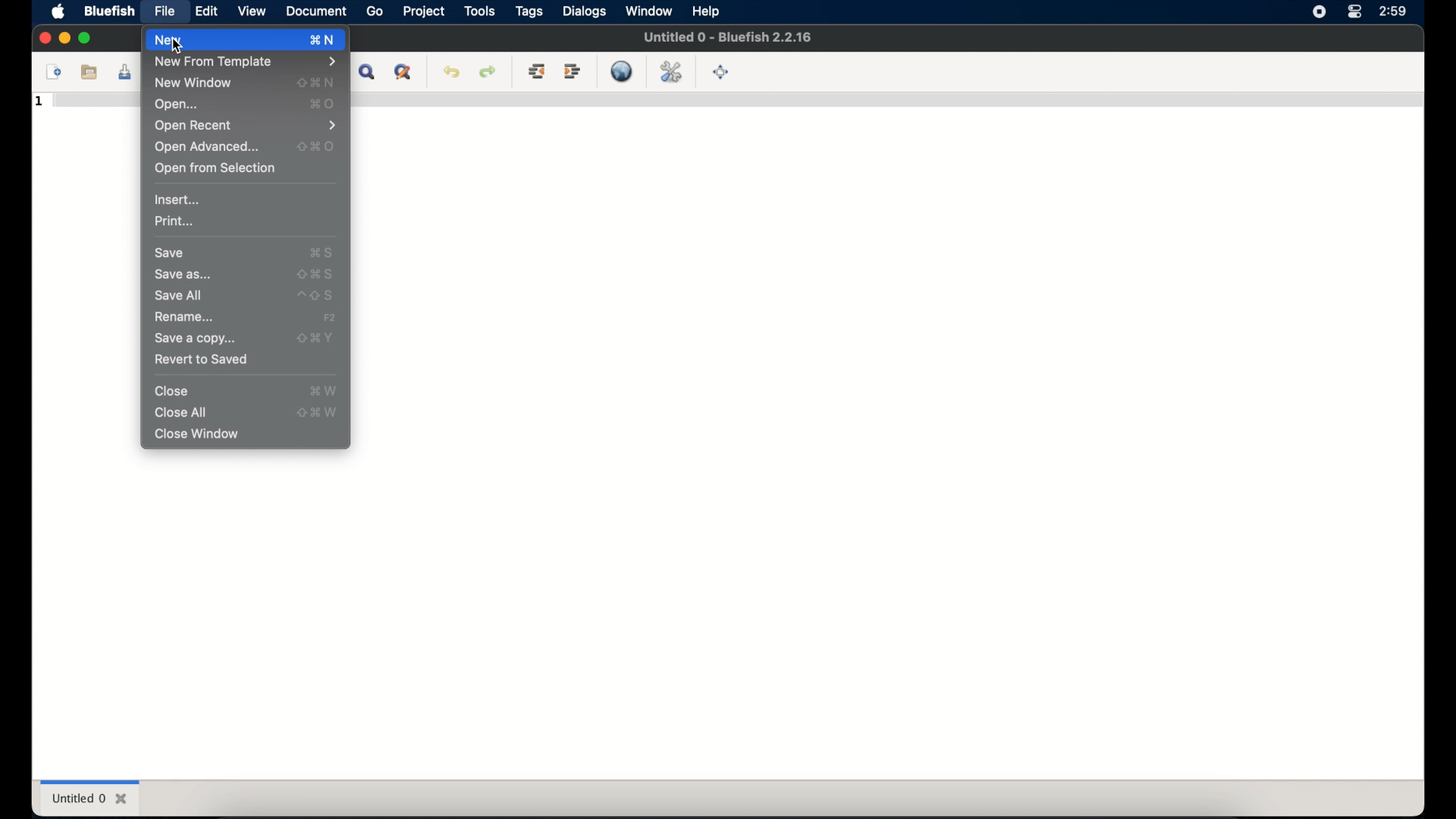  What do you see at coordinates (1393, 11) in the screenshot?
I see `time` at bounding box center [1393, 11].